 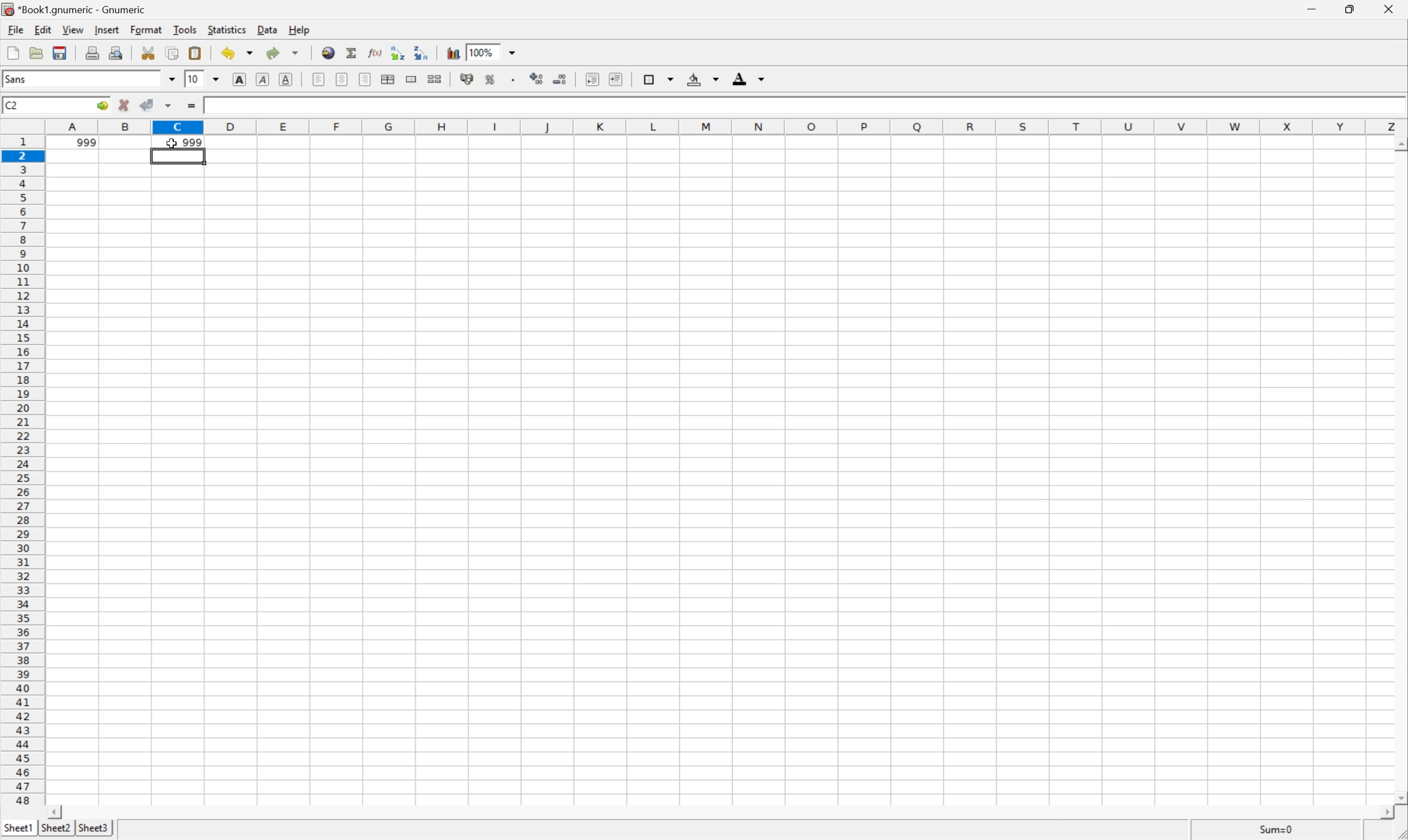 What do you see at coordinates (592, 80) in the screenshot?
I see `decrease indent` at bounding box center [592, 80].